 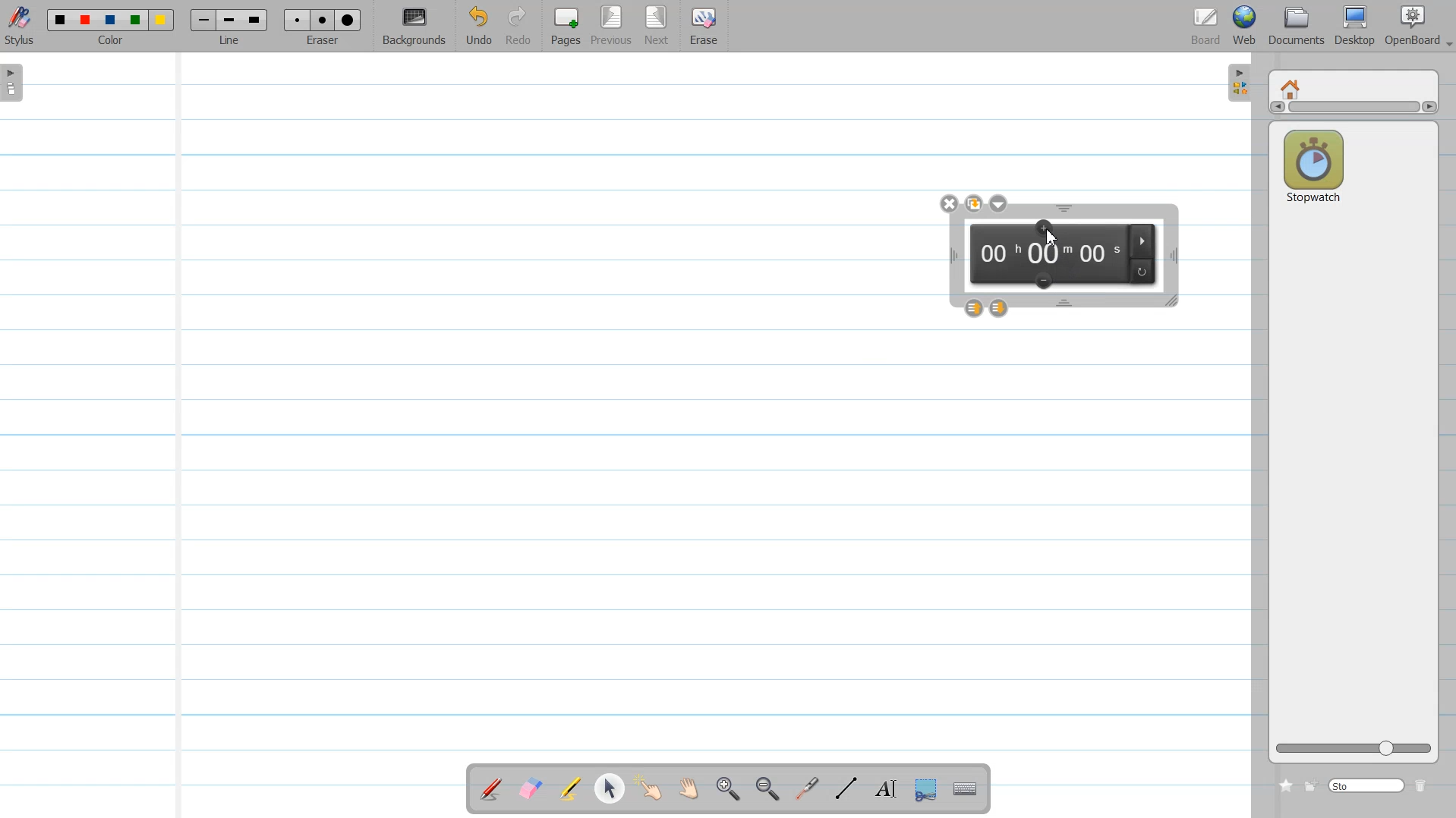 I want to click on Time window Hight adjustment, so click(x=1066, y=303).